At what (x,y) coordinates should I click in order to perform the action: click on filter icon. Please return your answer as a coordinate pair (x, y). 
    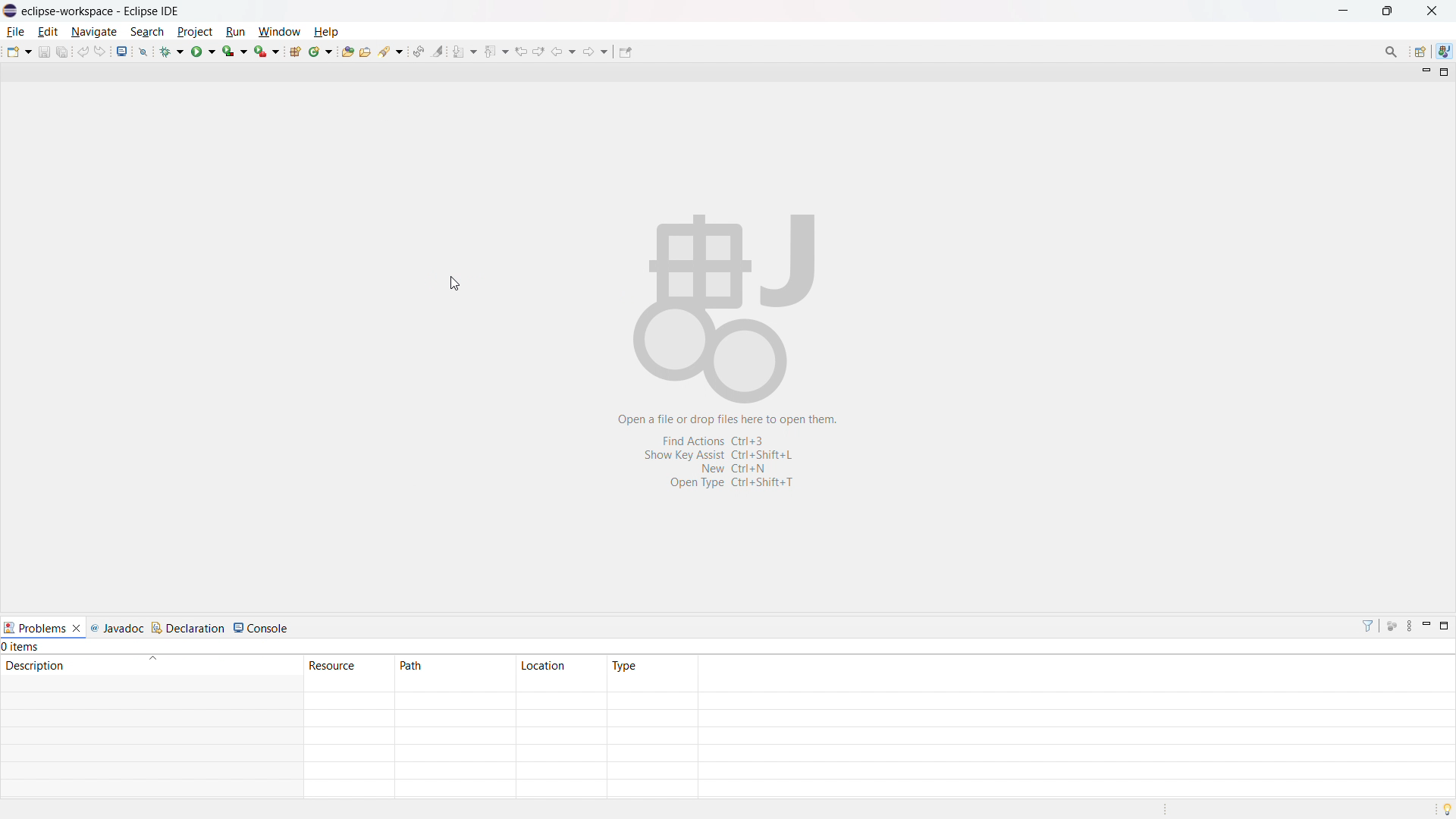
    Looking at the image, I should click on (1367, 626).